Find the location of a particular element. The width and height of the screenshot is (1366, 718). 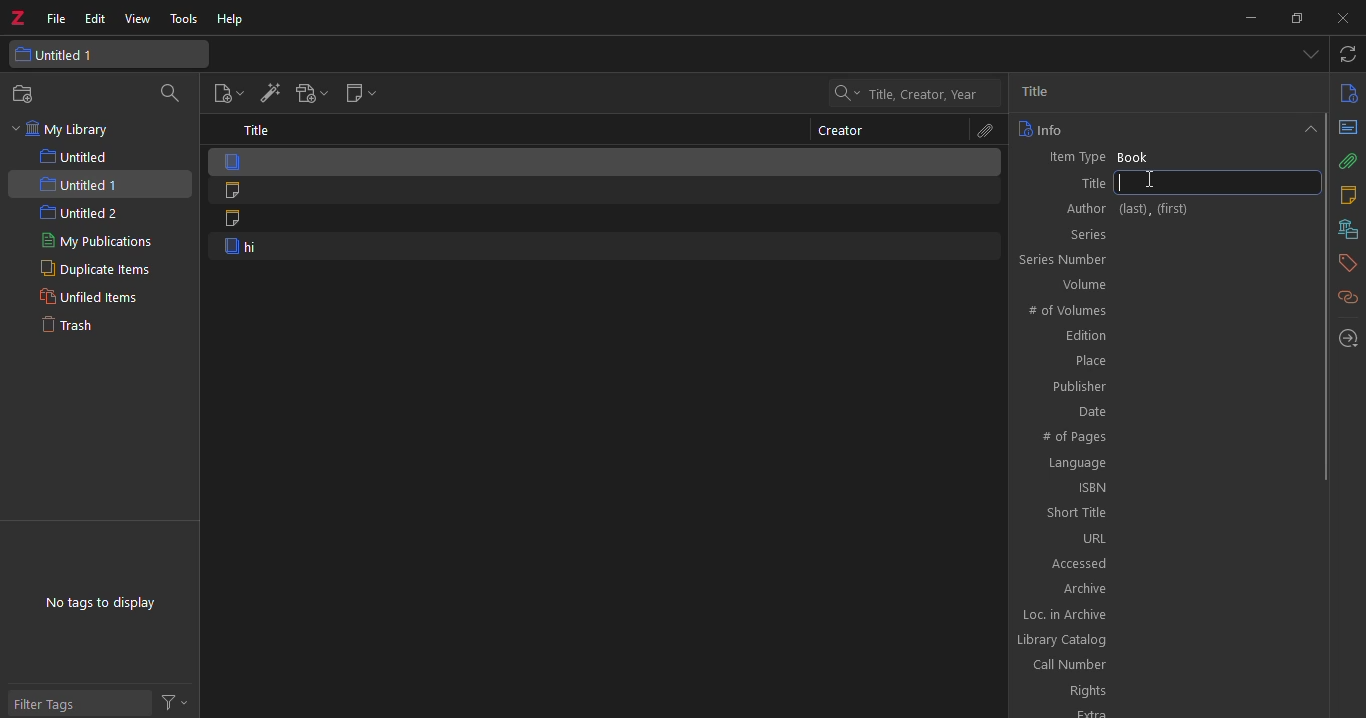

unfiled items is located at coordinates (86, 298).